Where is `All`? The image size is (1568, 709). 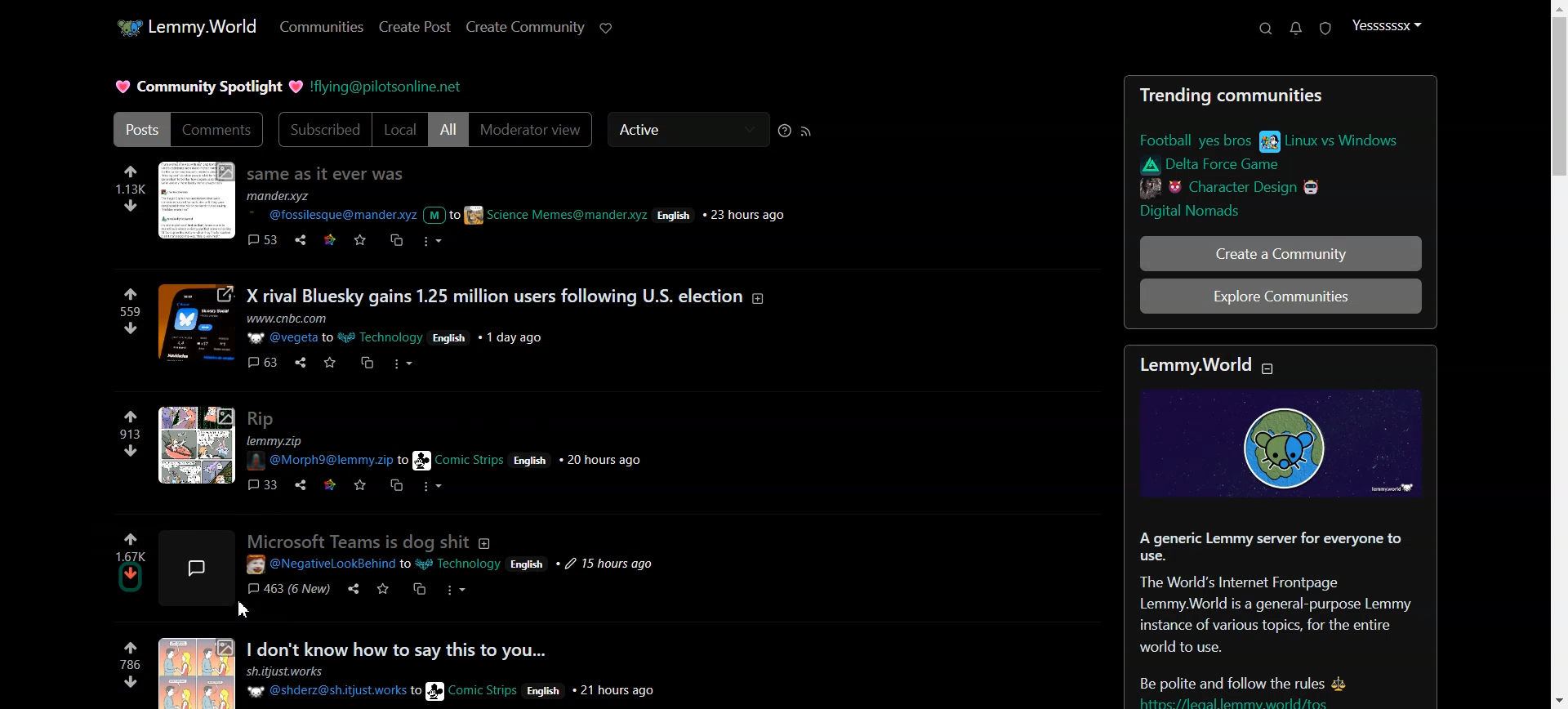
All is located at coordinates (448, 130).